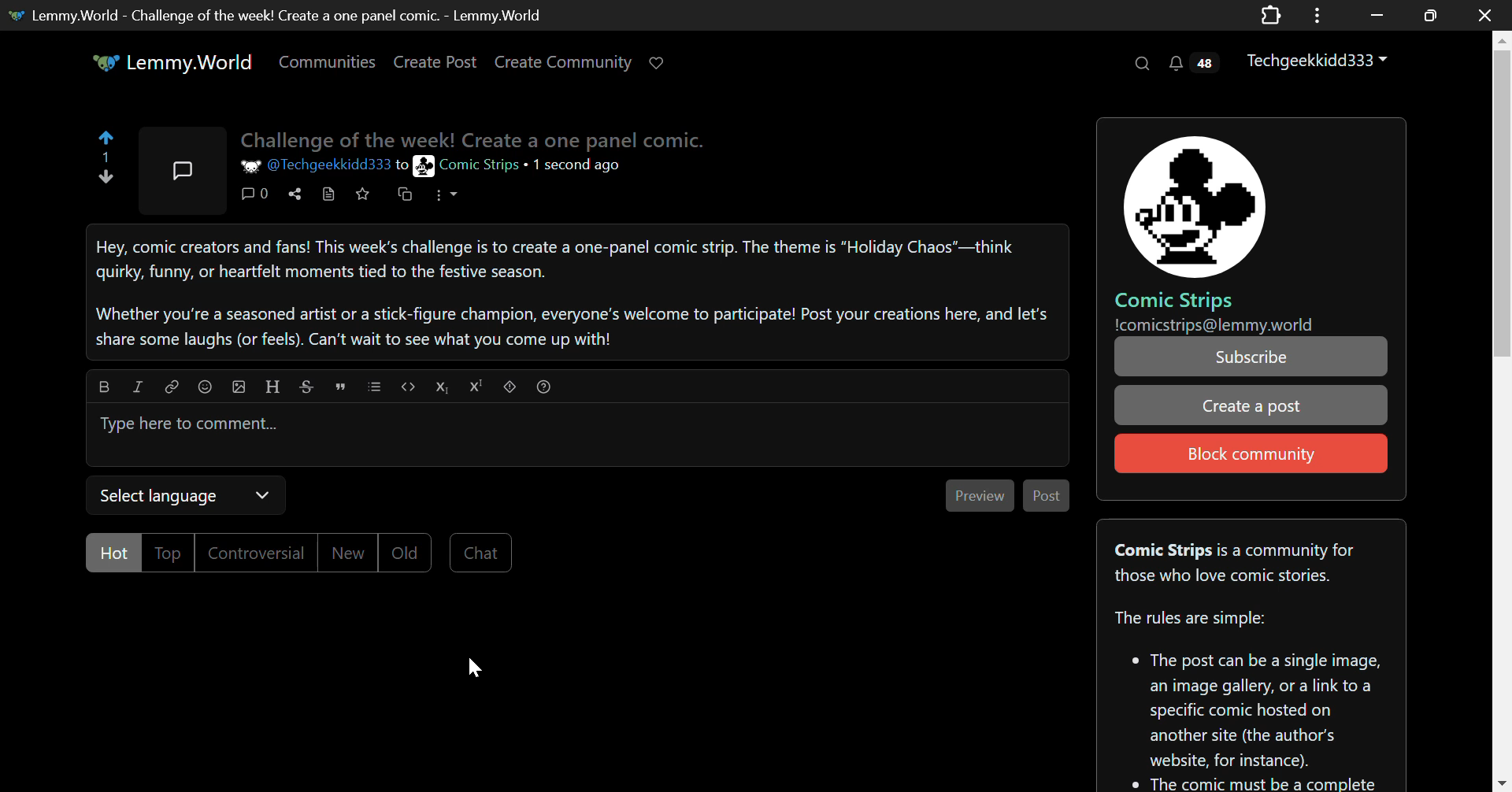  What do you see at coordinates (512, 385) in the screenshot?
I see `spoiler` at bounding box center [512, 385].